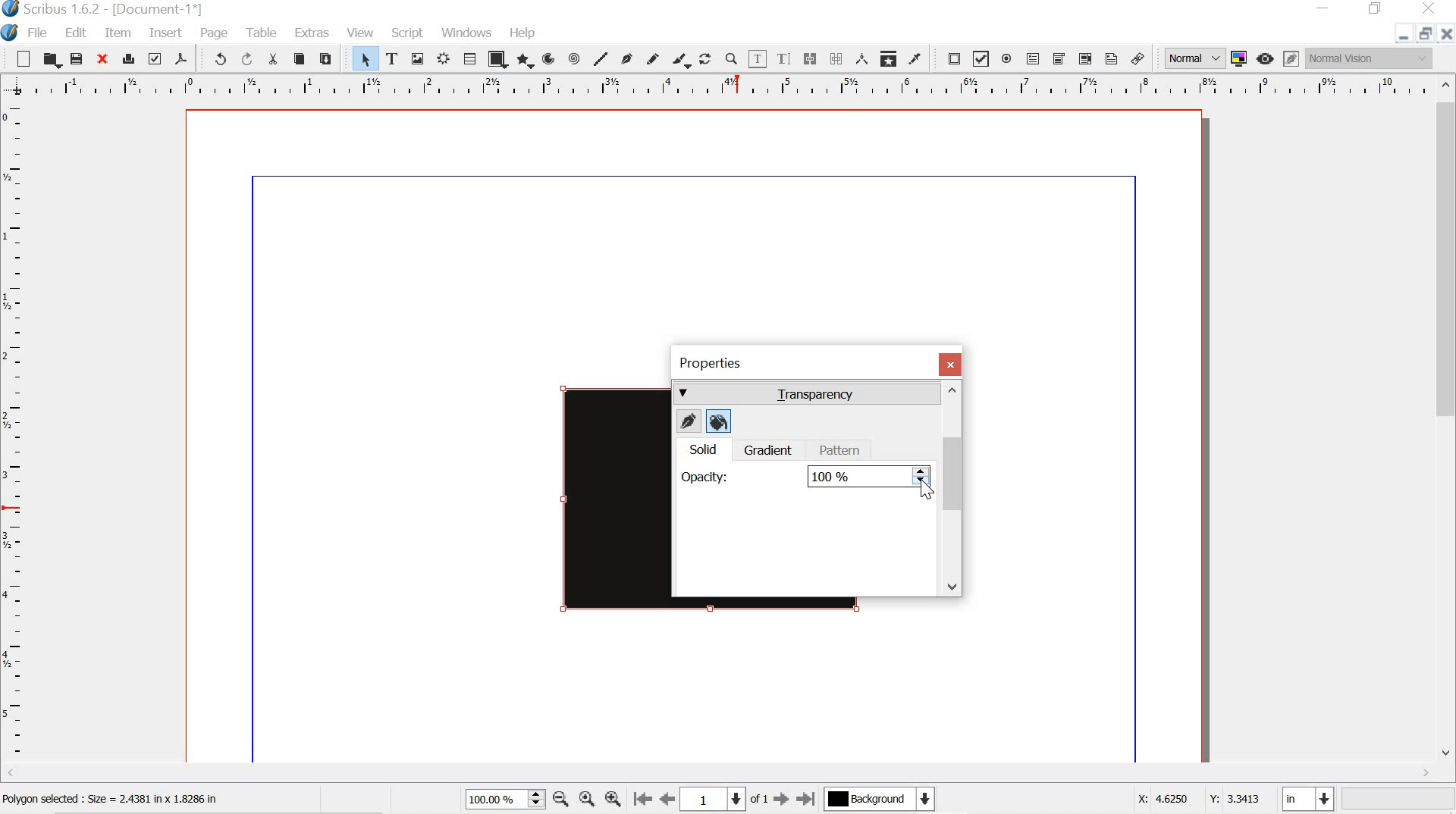 This screenshot has height=814, width=1456. I want to click on 100.00%, so click(504, 799).